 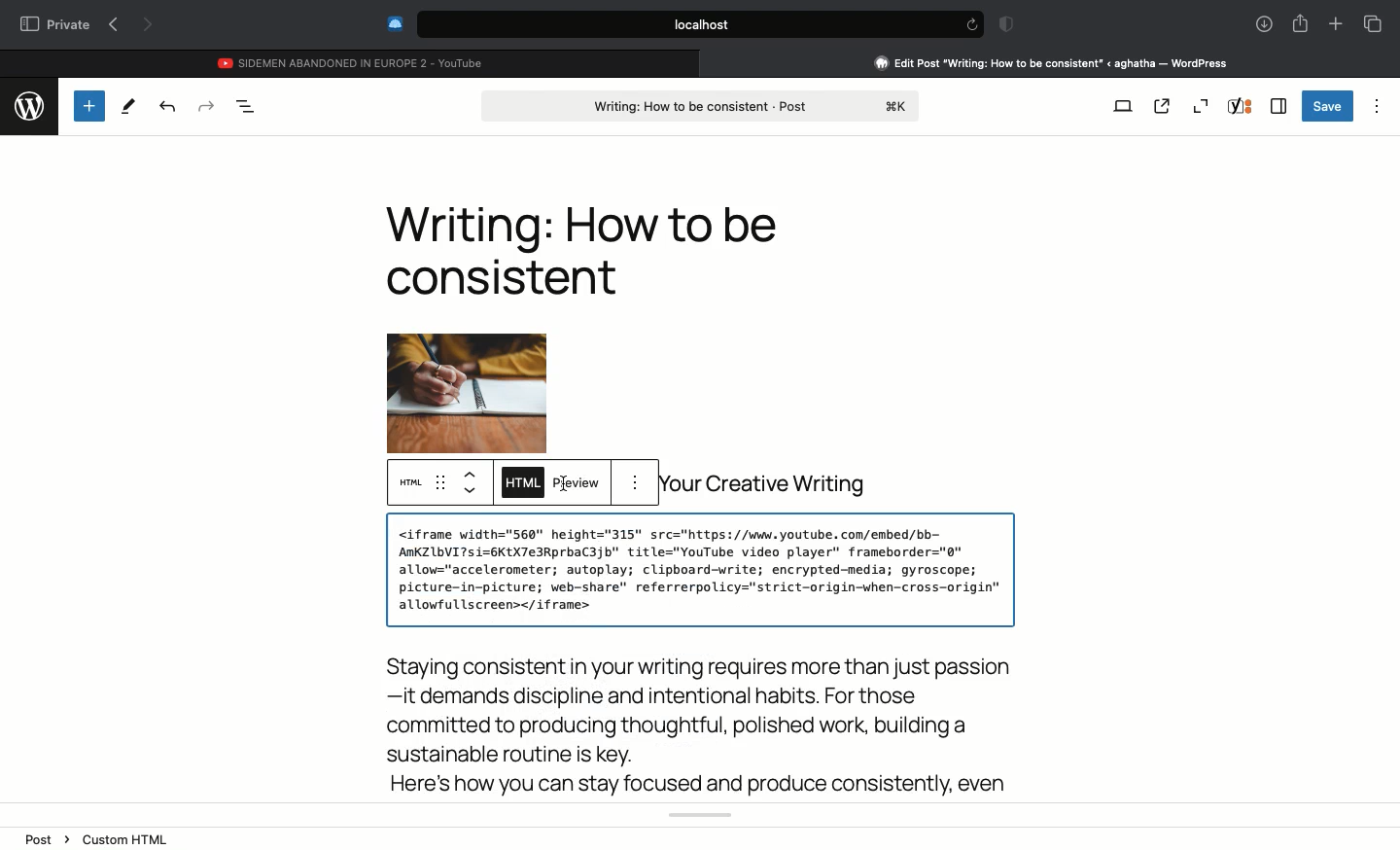 I want to click on Sidebar, so click(x=1278, y=106).